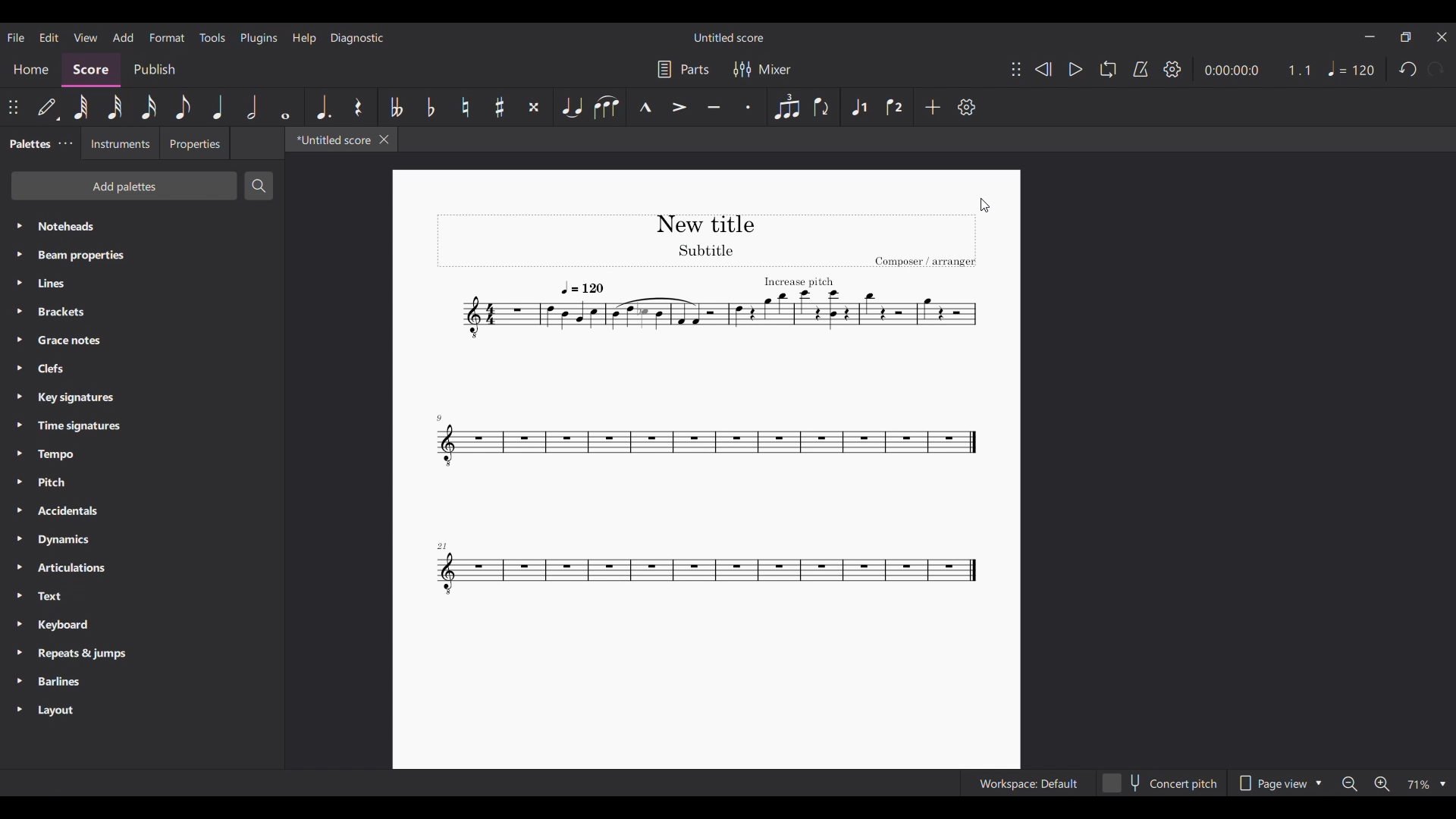 This screenshot has height=819, width=1456. What do you see at coordinates (1299, 70) in the screenshot?
I see `Current ratio` at bounding box center [1299, 70].